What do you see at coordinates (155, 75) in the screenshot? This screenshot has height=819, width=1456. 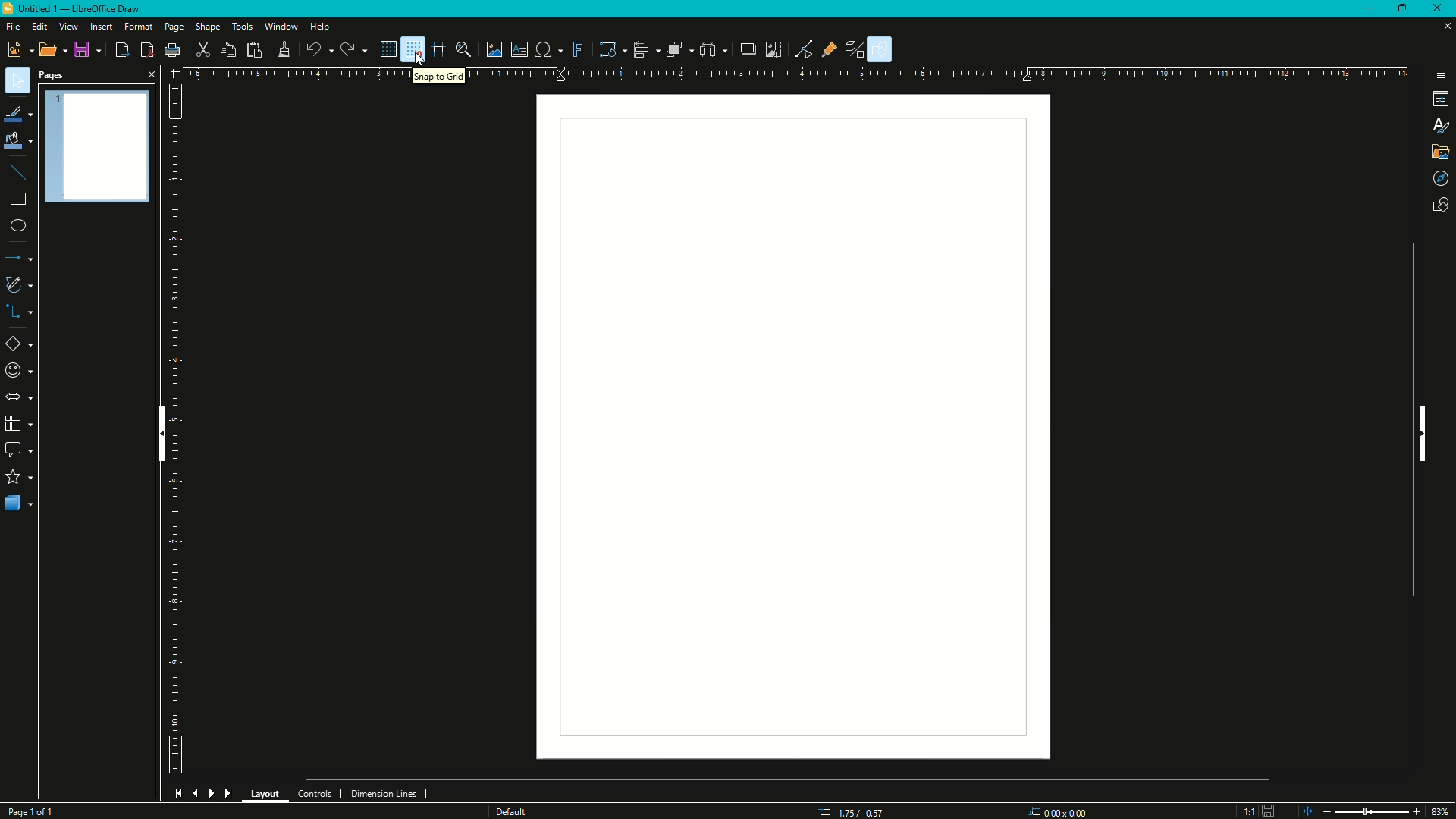 I see `Close` at bounding box center [155, 75].